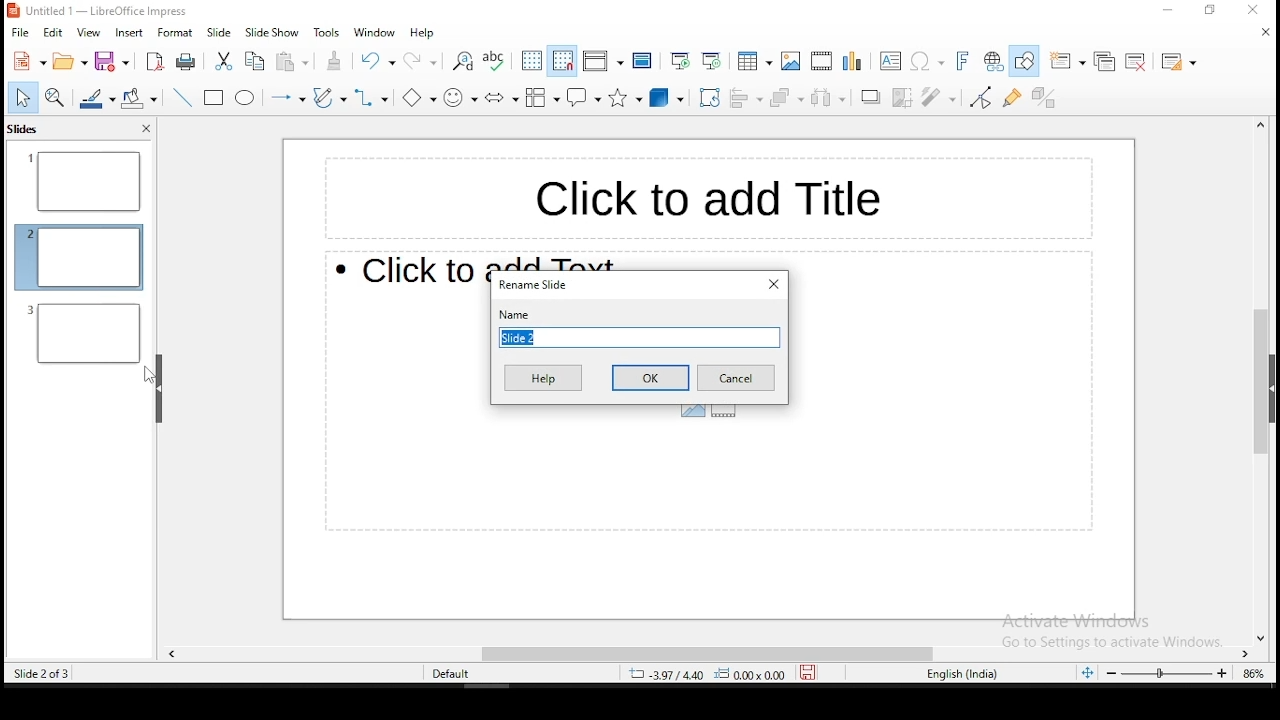 The image size is (1280, 720). What do you see at coordinates (736, 377) in the screenshot?
I see `cancel` at bounding box center [736, 377].